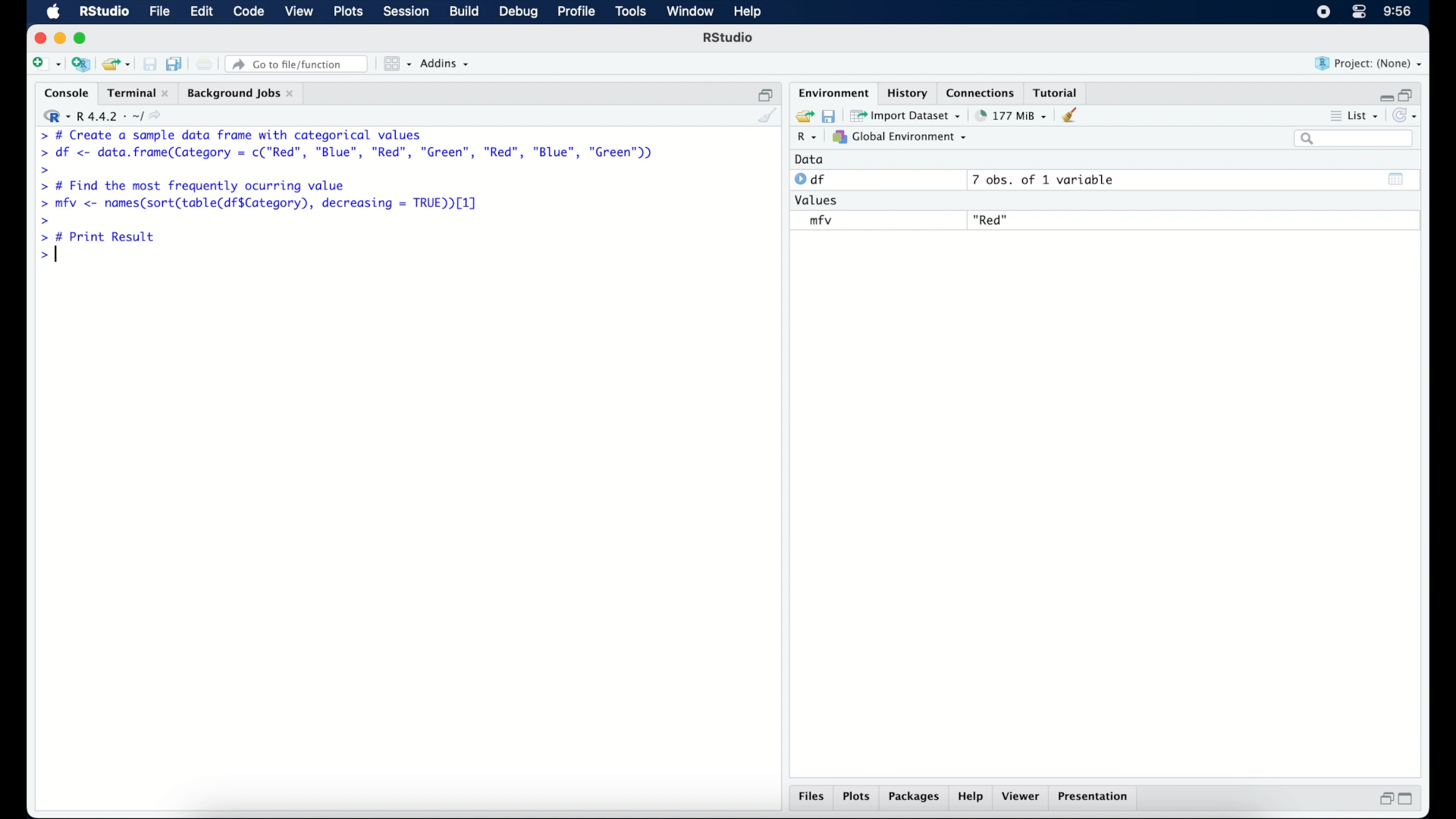 The width and height of the screenshot is (1456, 819). What do you see at coordinates (982, 92) in the screenshot?
I see `connections` at bounding box center [982, 92].